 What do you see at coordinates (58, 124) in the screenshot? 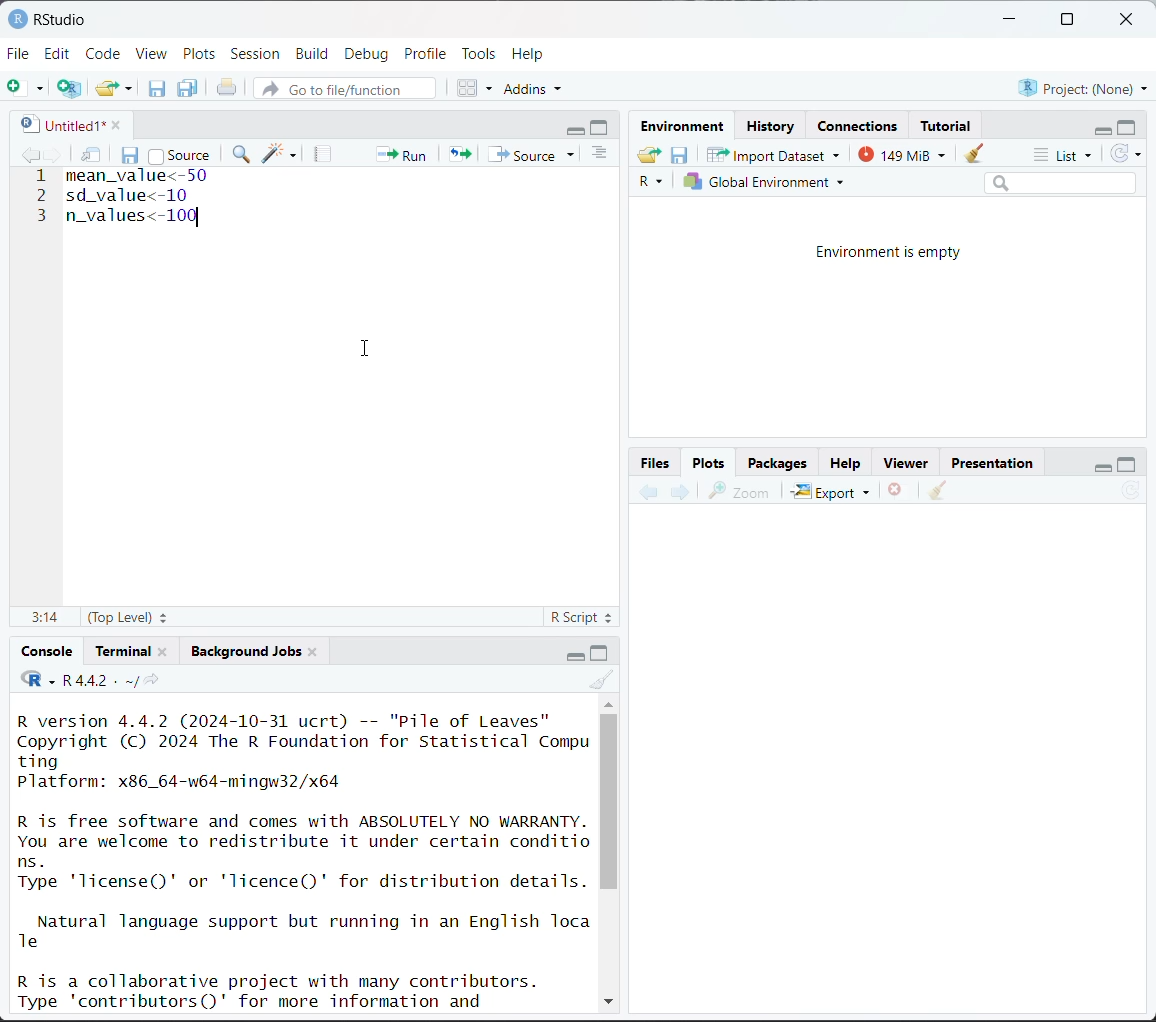
I see `untitled1` at bounding box center [58, 124].